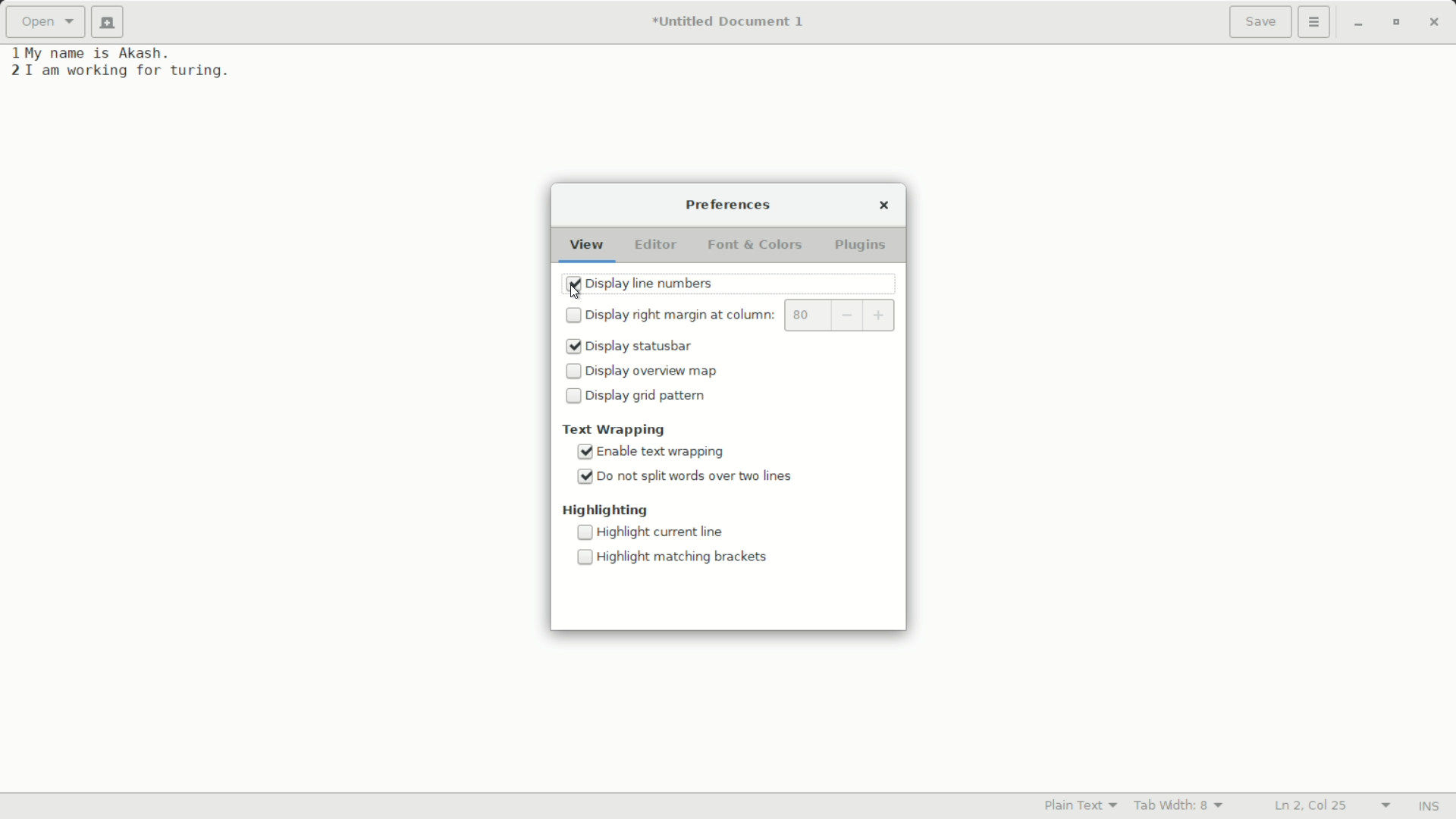 This screenshot has width=1456, height=819. Describe the element at coordinates (99, 52) in the screenshot. I see `My name is Akash.` at that location.